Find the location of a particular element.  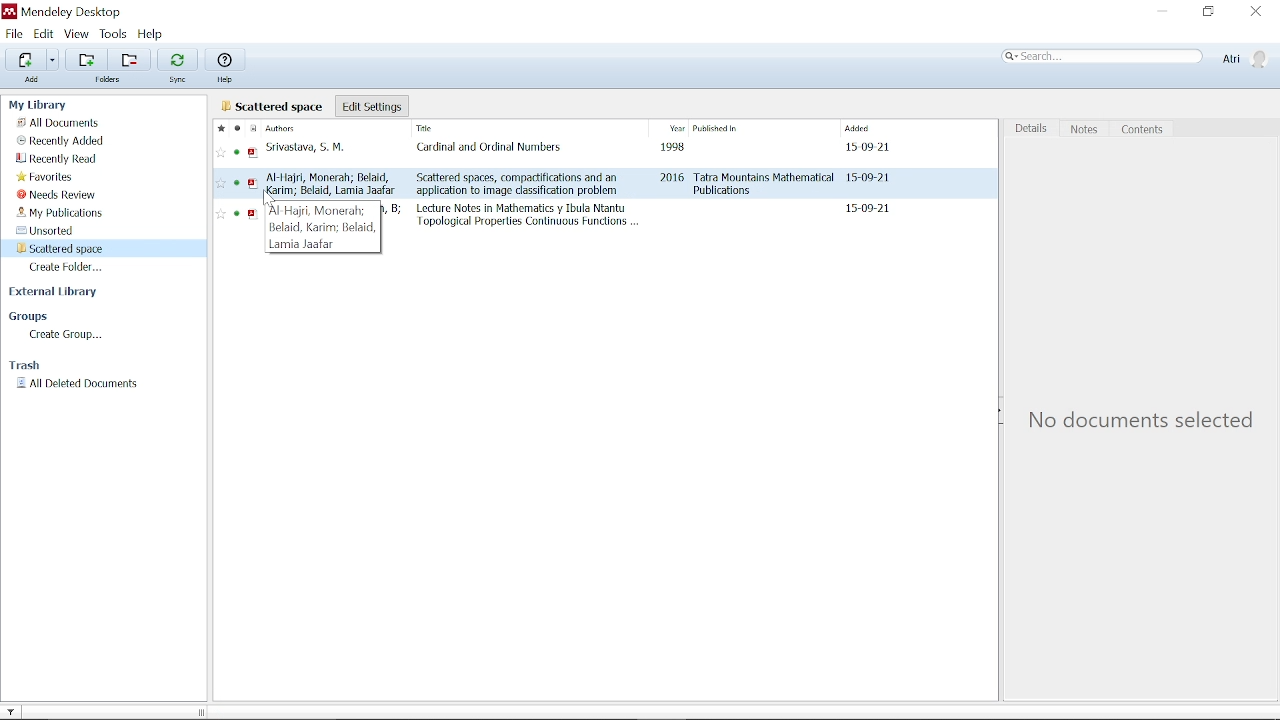

Help is located at coordinates (154, 35).